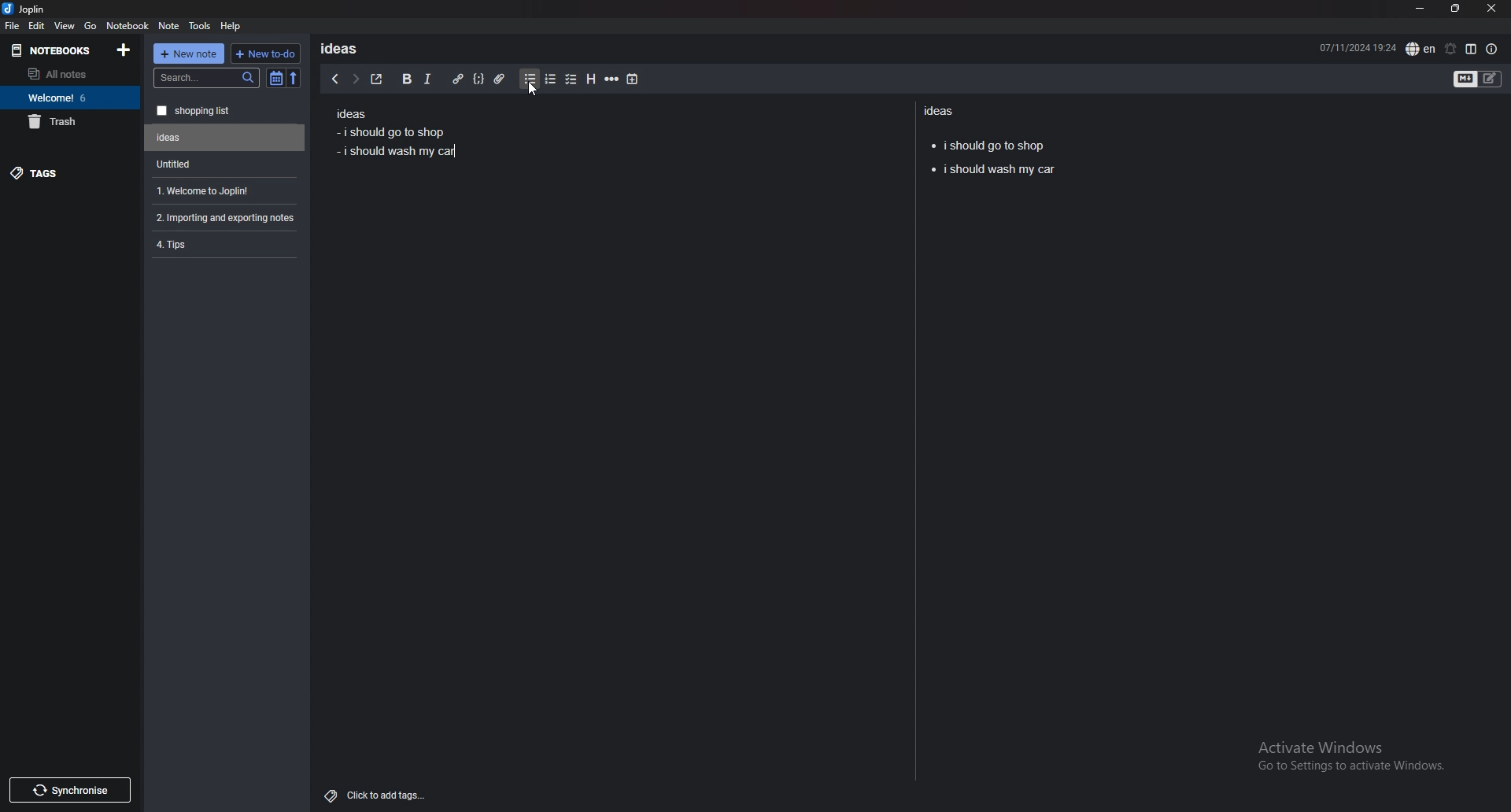 Image resolution: width=1511 pixels, height=812 pixels. Describe the element at coordinates (276, 79) in the screenshot. I see `toggle sort order` at that location.